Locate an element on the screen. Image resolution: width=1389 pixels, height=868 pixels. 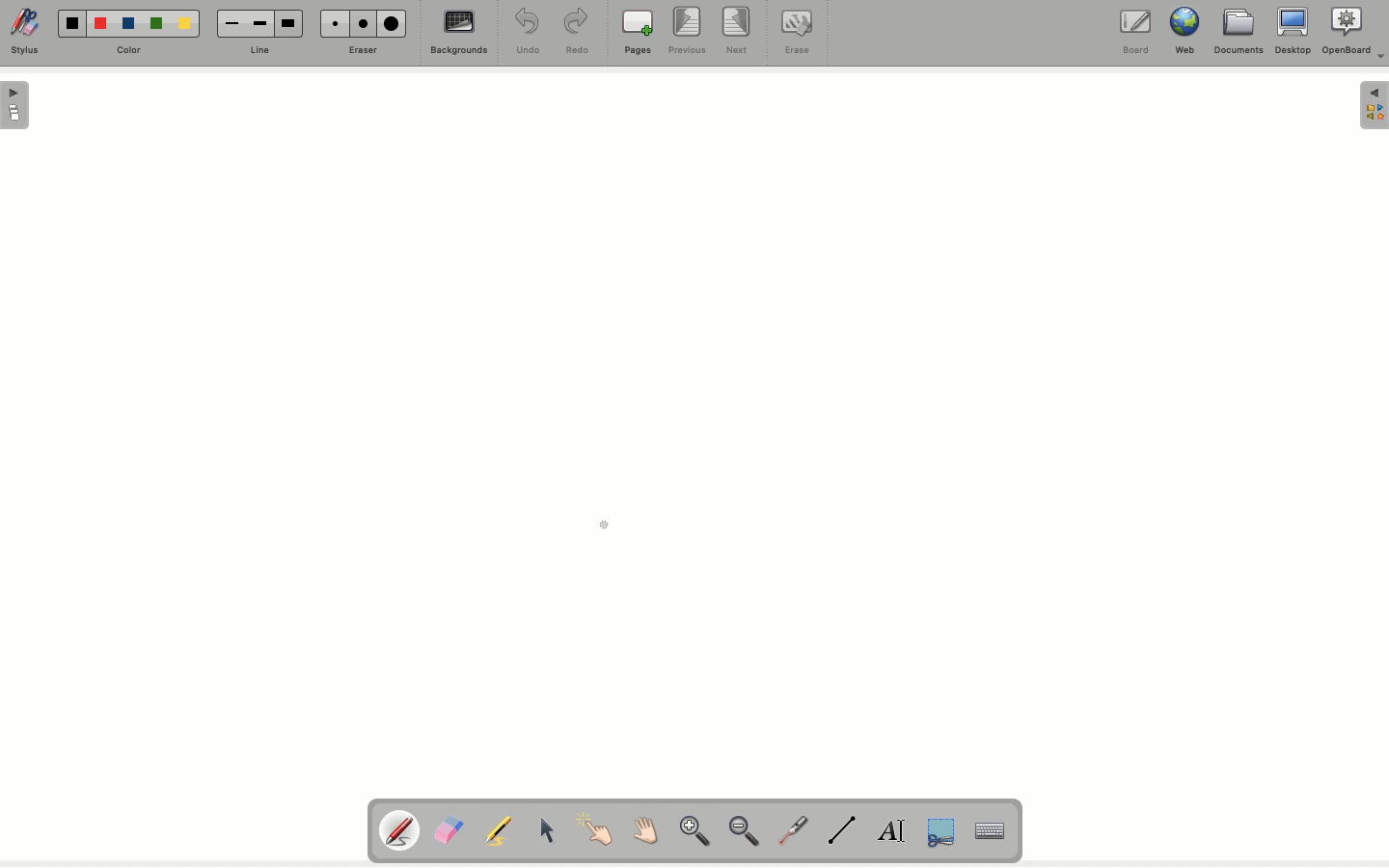
Erase is located at coordinates (362, 51).